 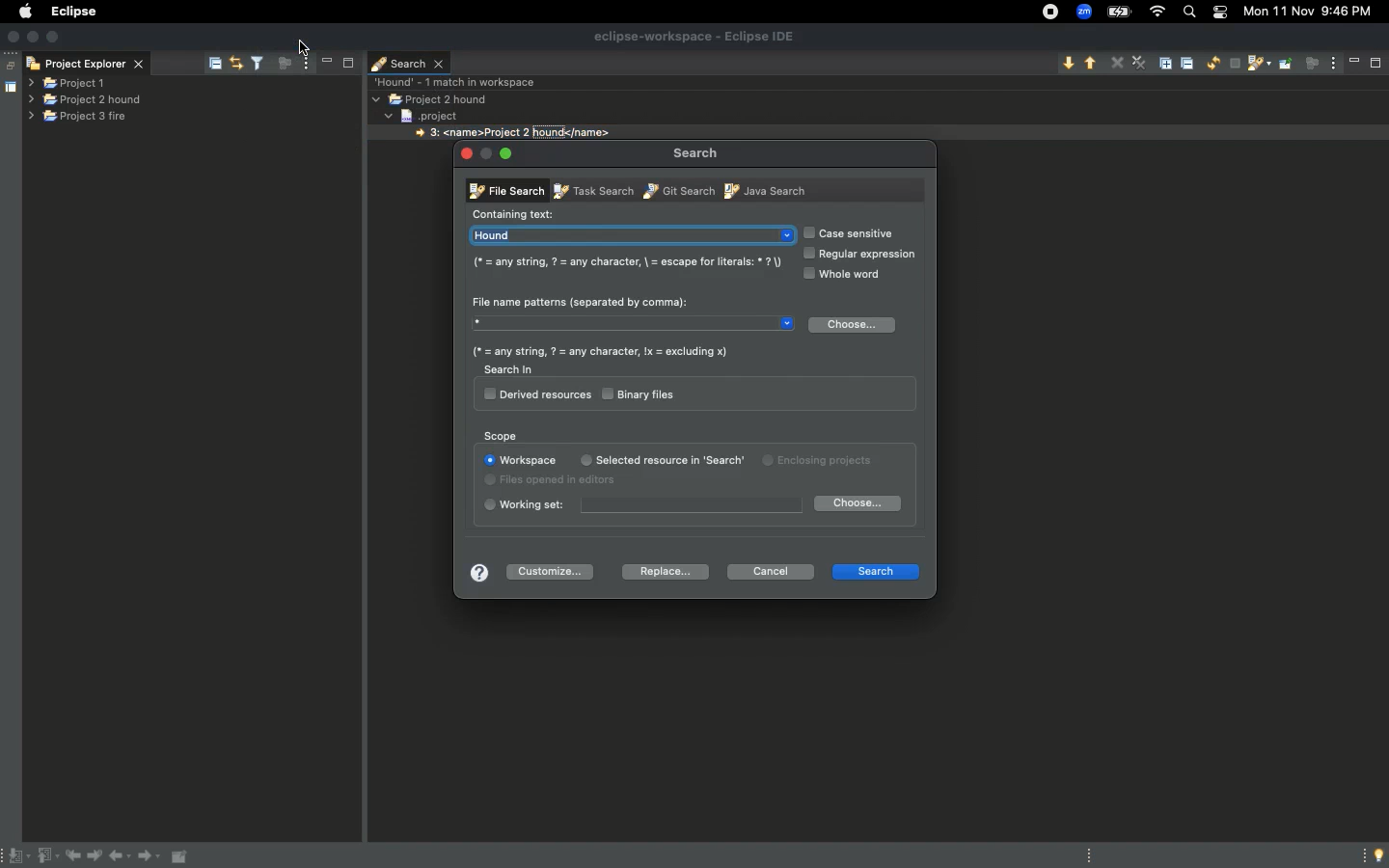 I want to click on focus on active task, so click(x=282, y=62).